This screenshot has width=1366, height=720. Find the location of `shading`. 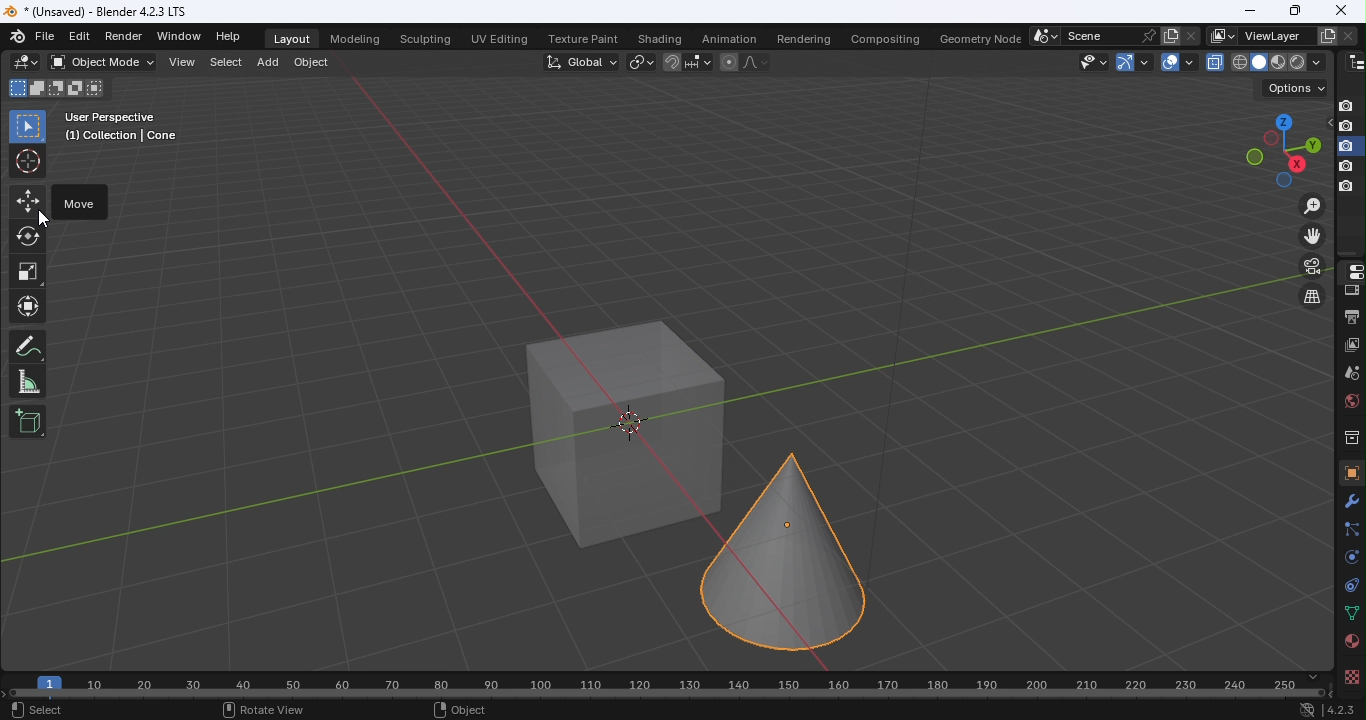

shading is located at coordinates (1315, 61).